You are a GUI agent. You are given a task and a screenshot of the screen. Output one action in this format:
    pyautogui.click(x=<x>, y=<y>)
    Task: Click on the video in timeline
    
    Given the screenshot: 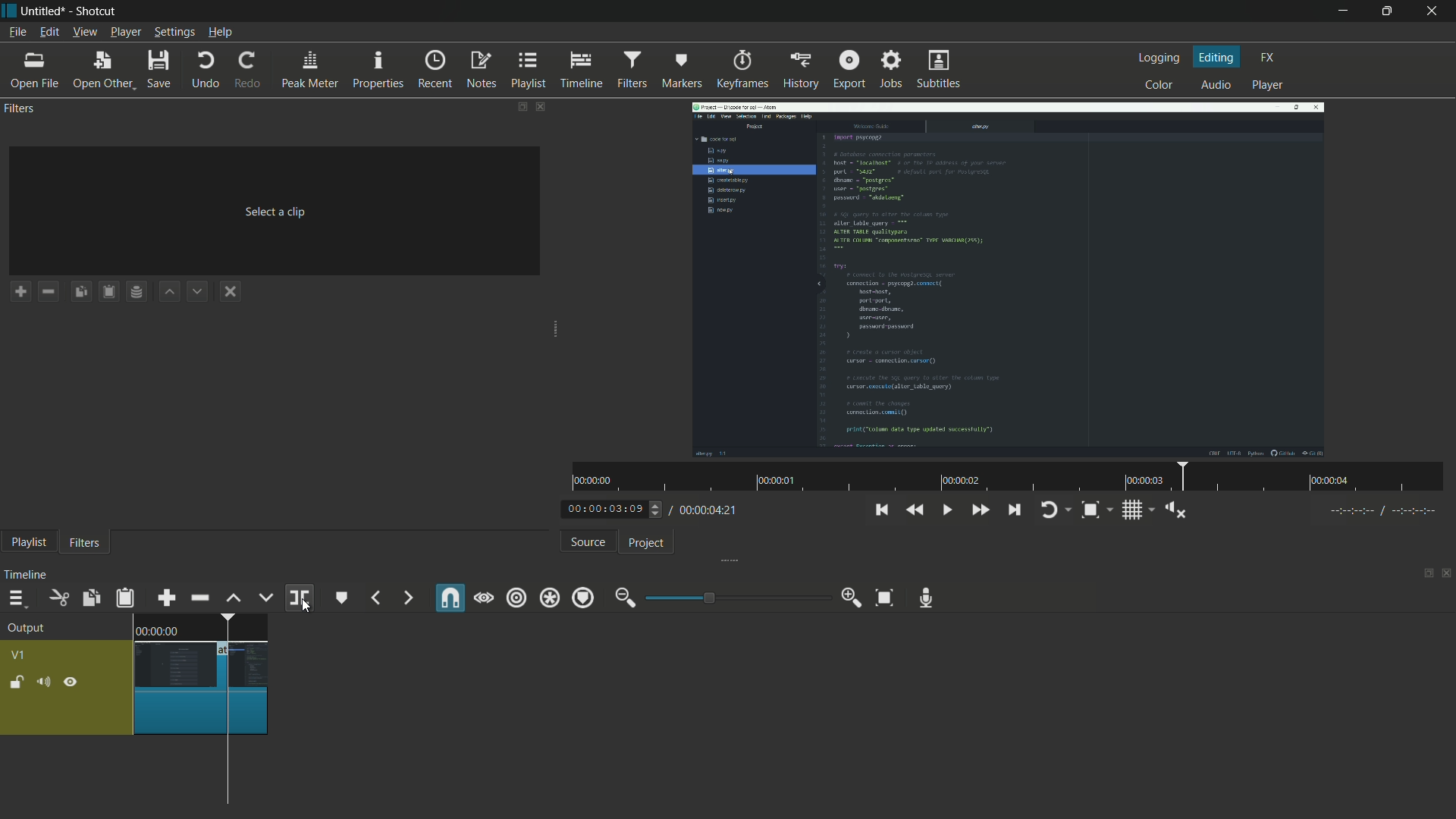 What is the action you would take?
    pyautogui.click(x=201, y=675)
    